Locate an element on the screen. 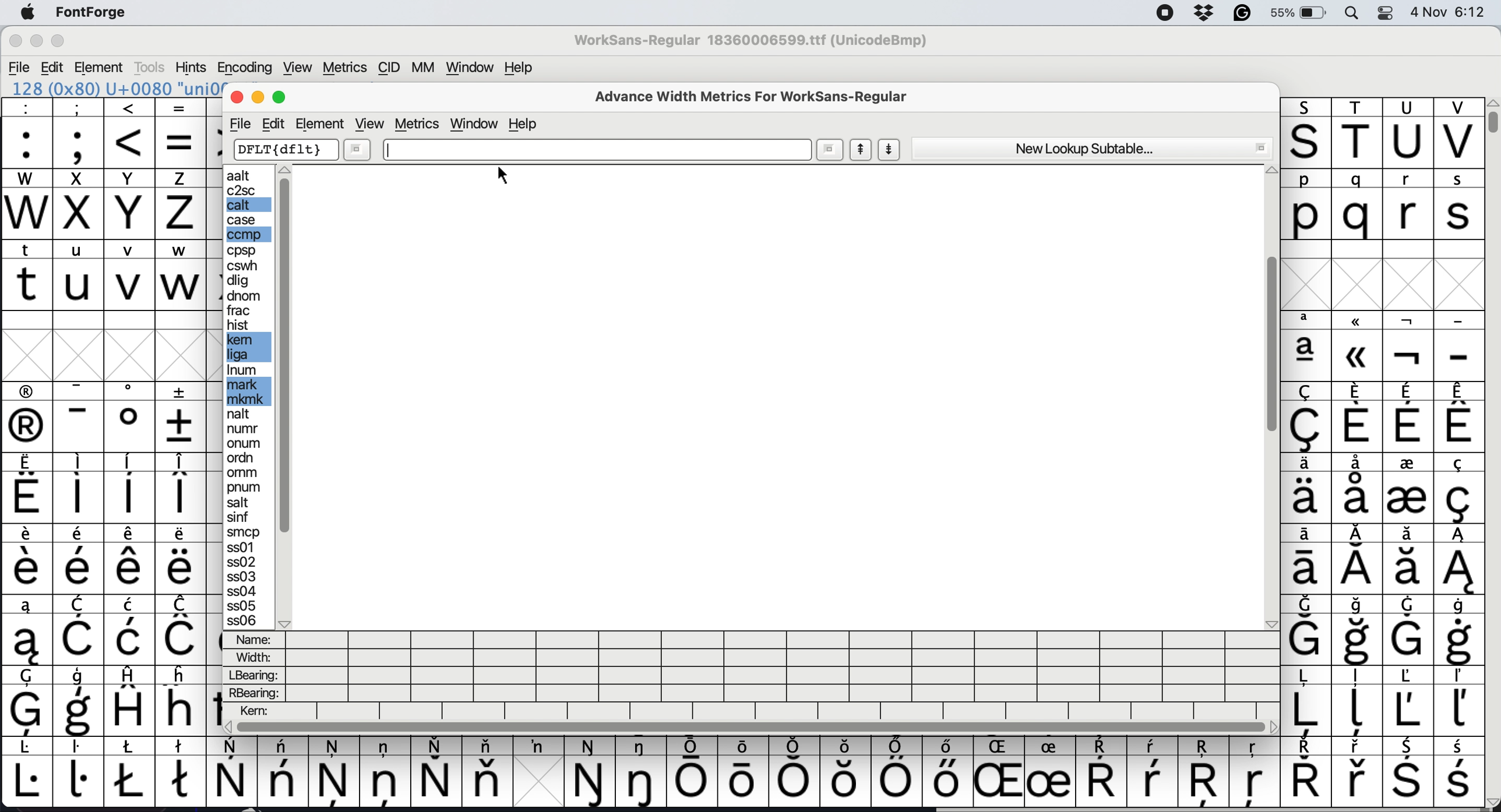 The image size is (1501, 812). special characters is located at coordinates (1384, 427).